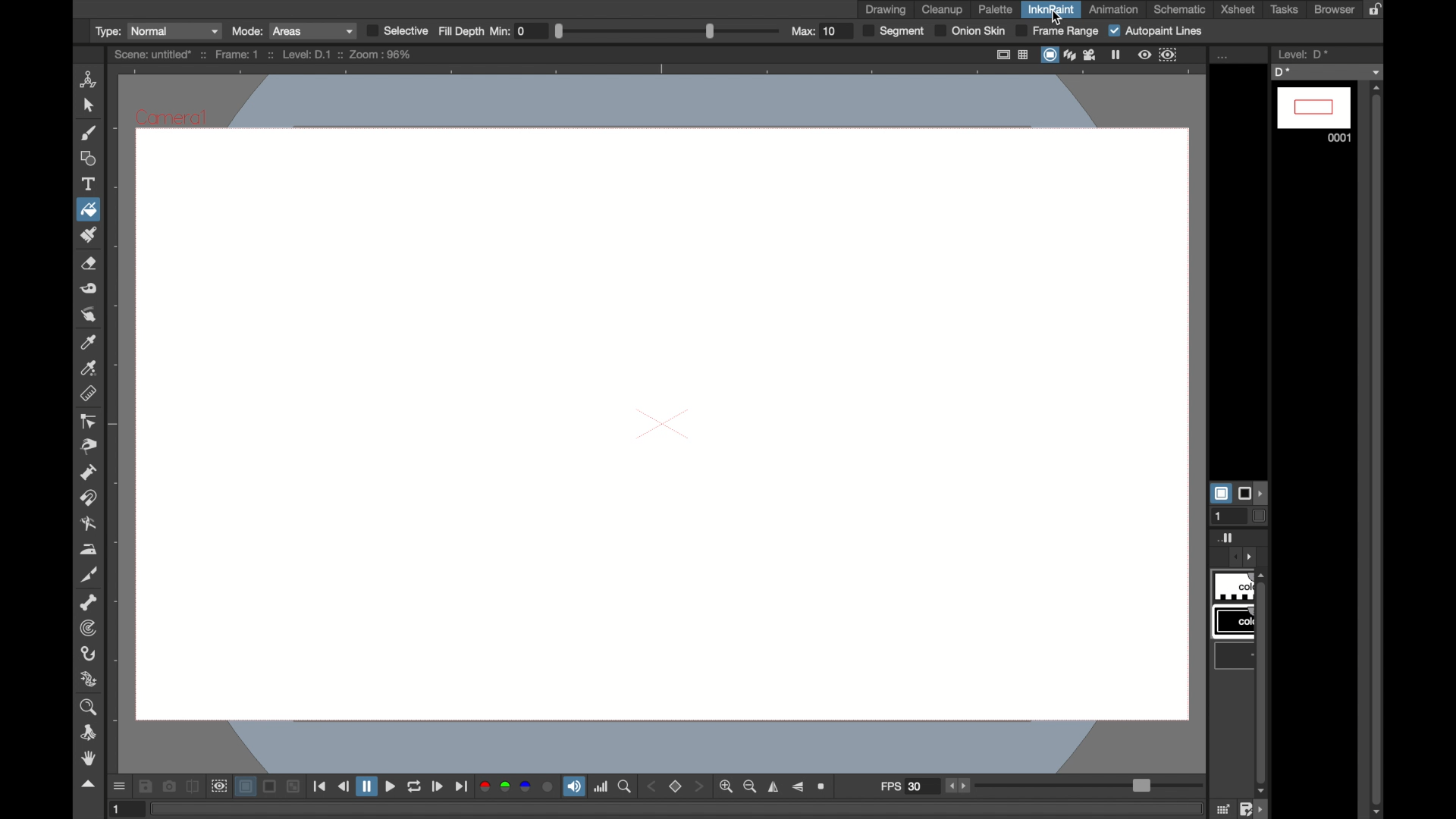 The image size is (1456, 819). I want to click on beginning, so click(322, 786).